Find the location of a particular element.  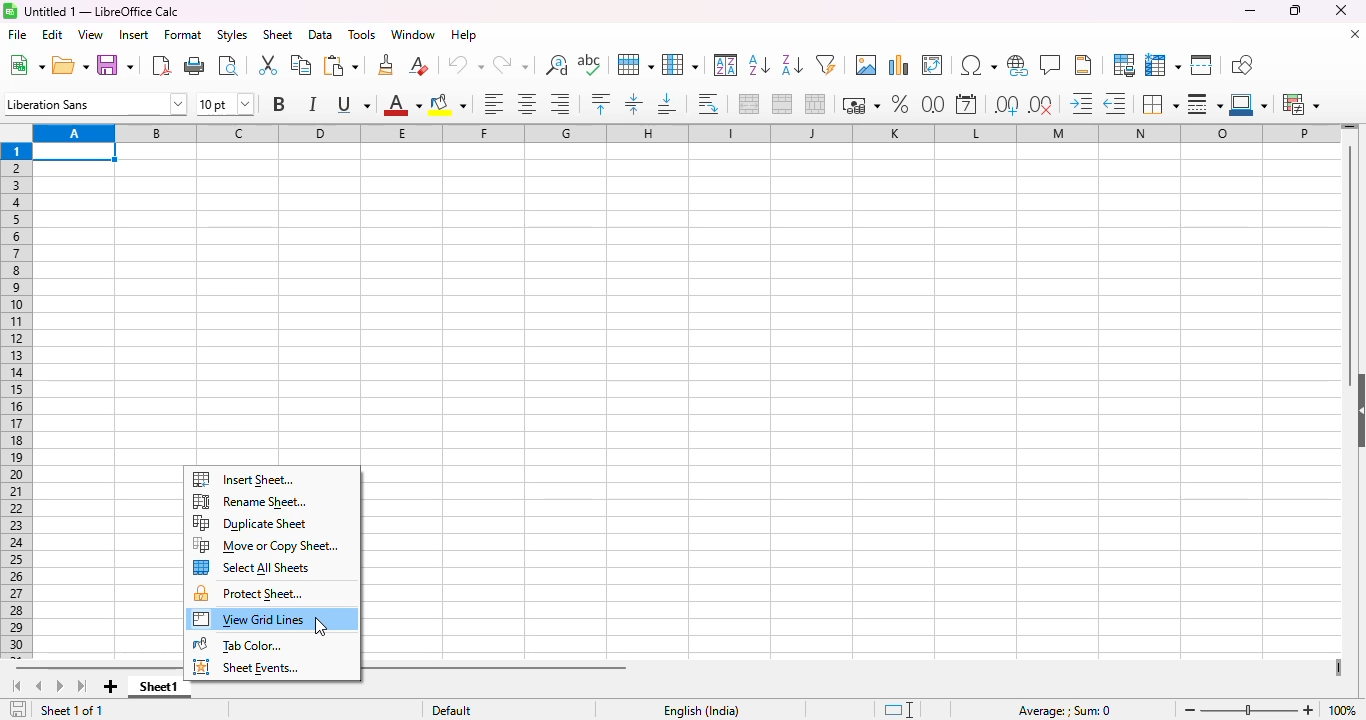

sort descending is located at coordinates (793, 65).